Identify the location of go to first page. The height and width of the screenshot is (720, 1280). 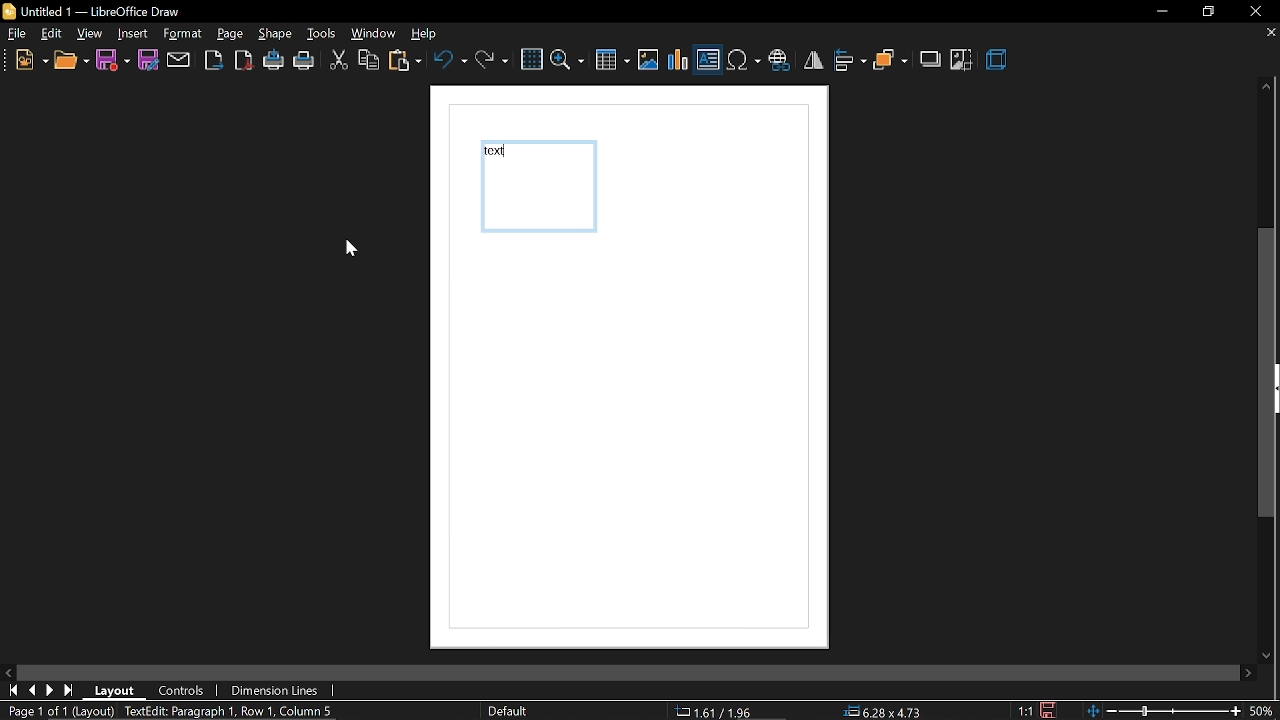
(14, 691).